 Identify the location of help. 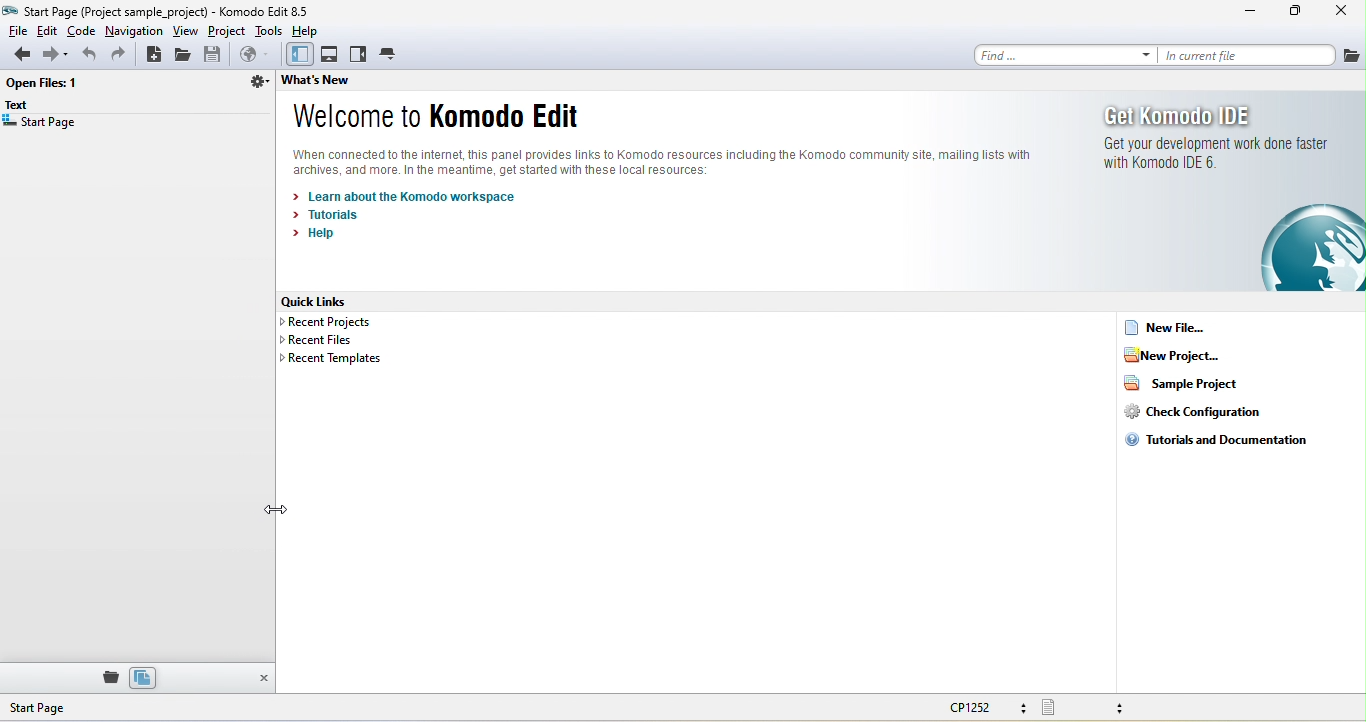
(318, 237).